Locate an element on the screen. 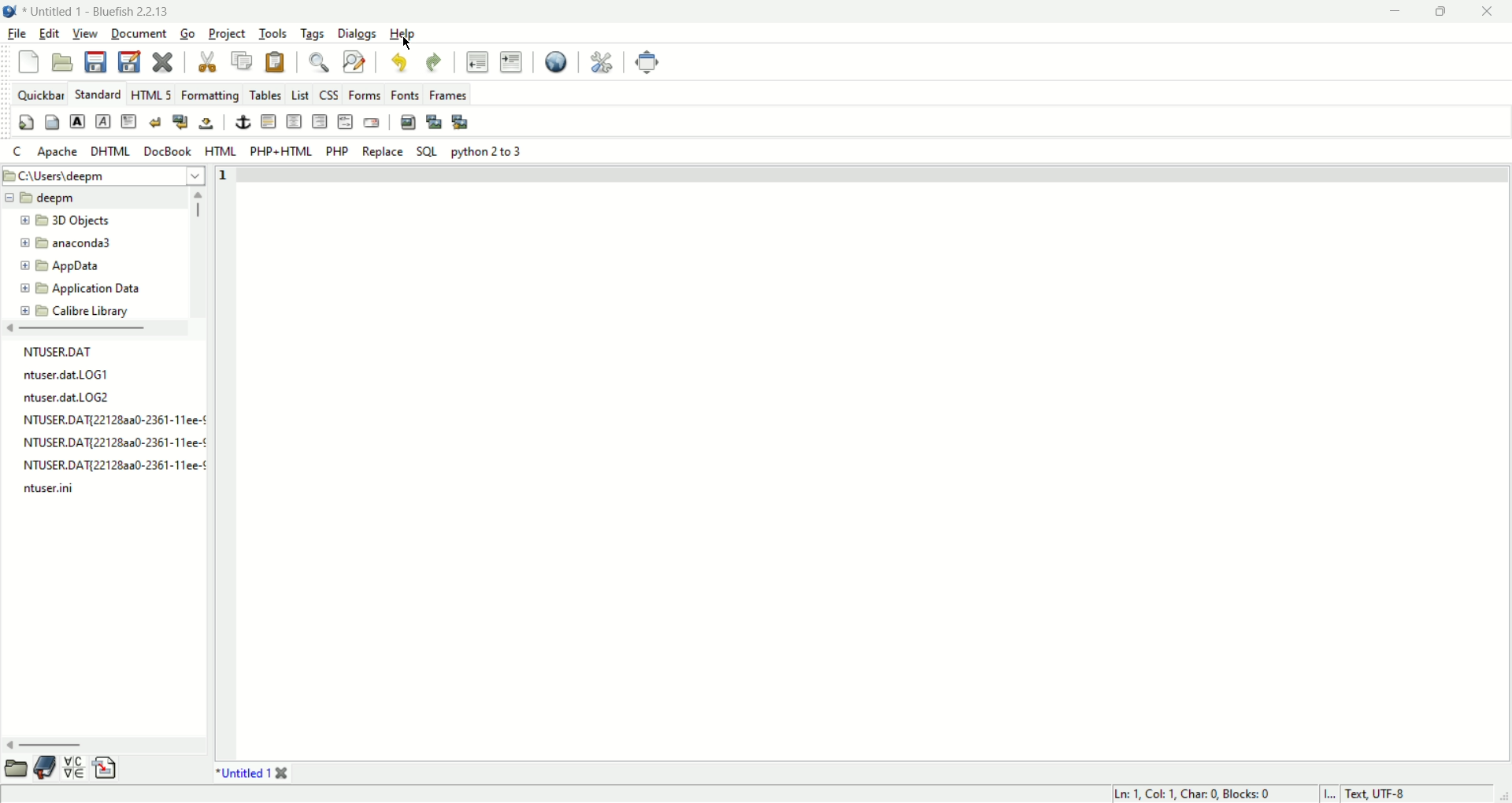 This screenshot has height=803, width=1512. file name is located at coordinates (50, 491).